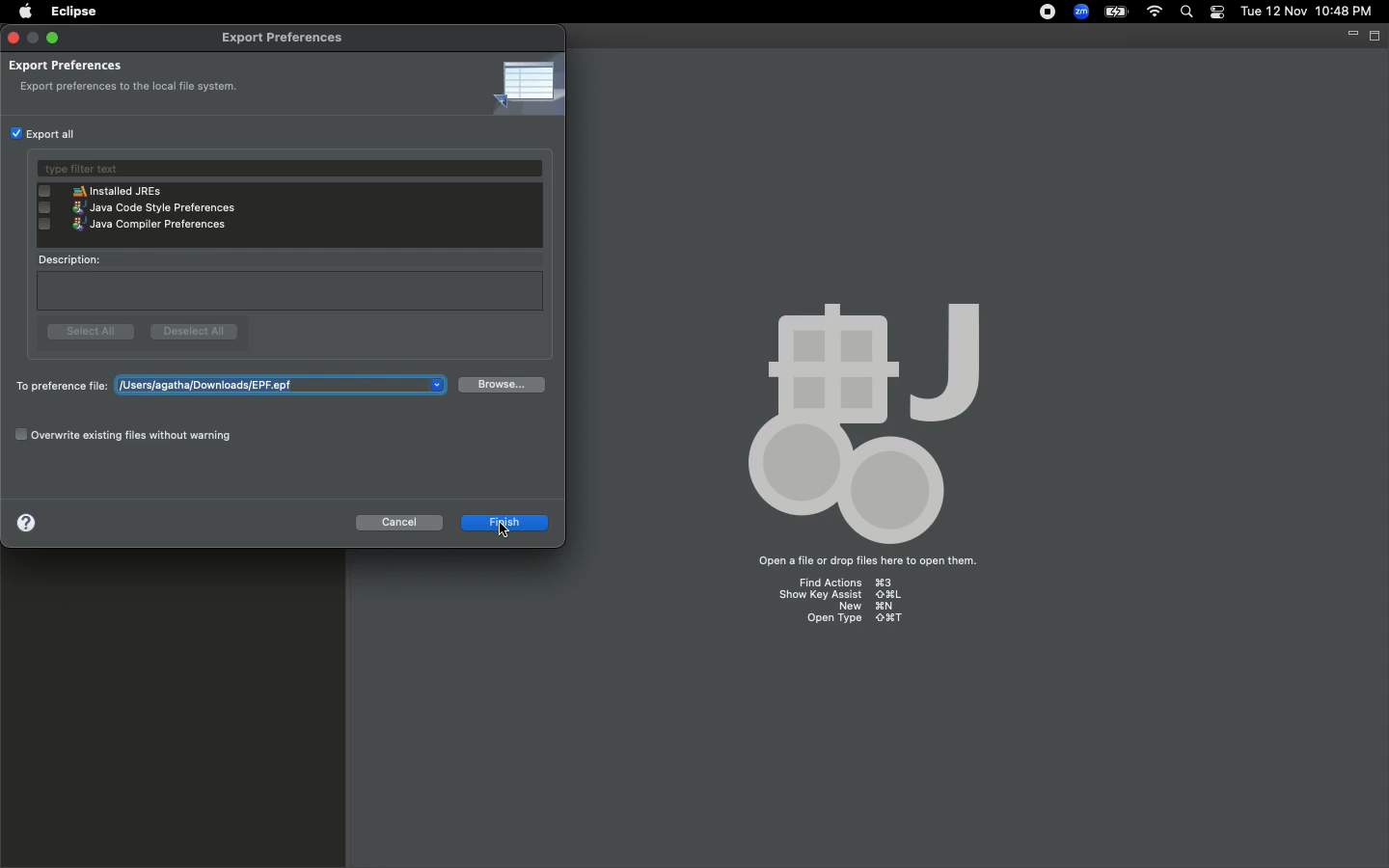  I want to click on open type , so click(863, 619).